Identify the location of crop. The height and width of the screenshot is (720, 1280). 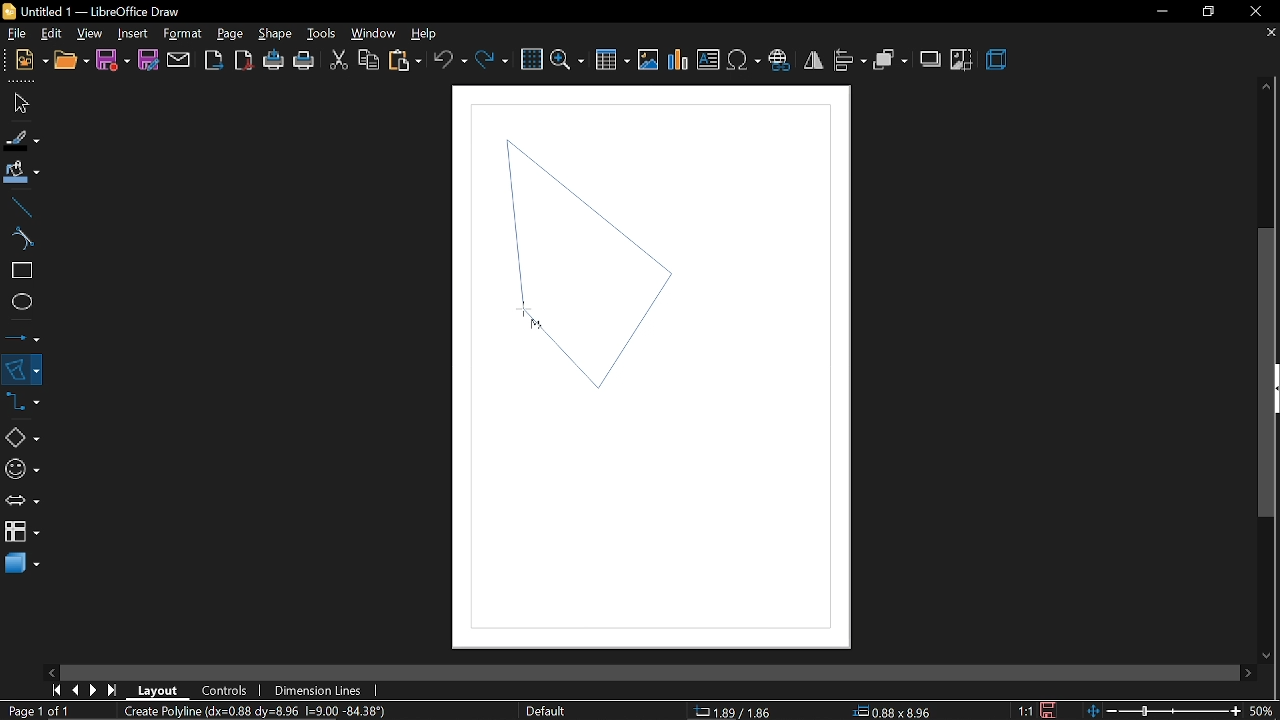
(961, 60).